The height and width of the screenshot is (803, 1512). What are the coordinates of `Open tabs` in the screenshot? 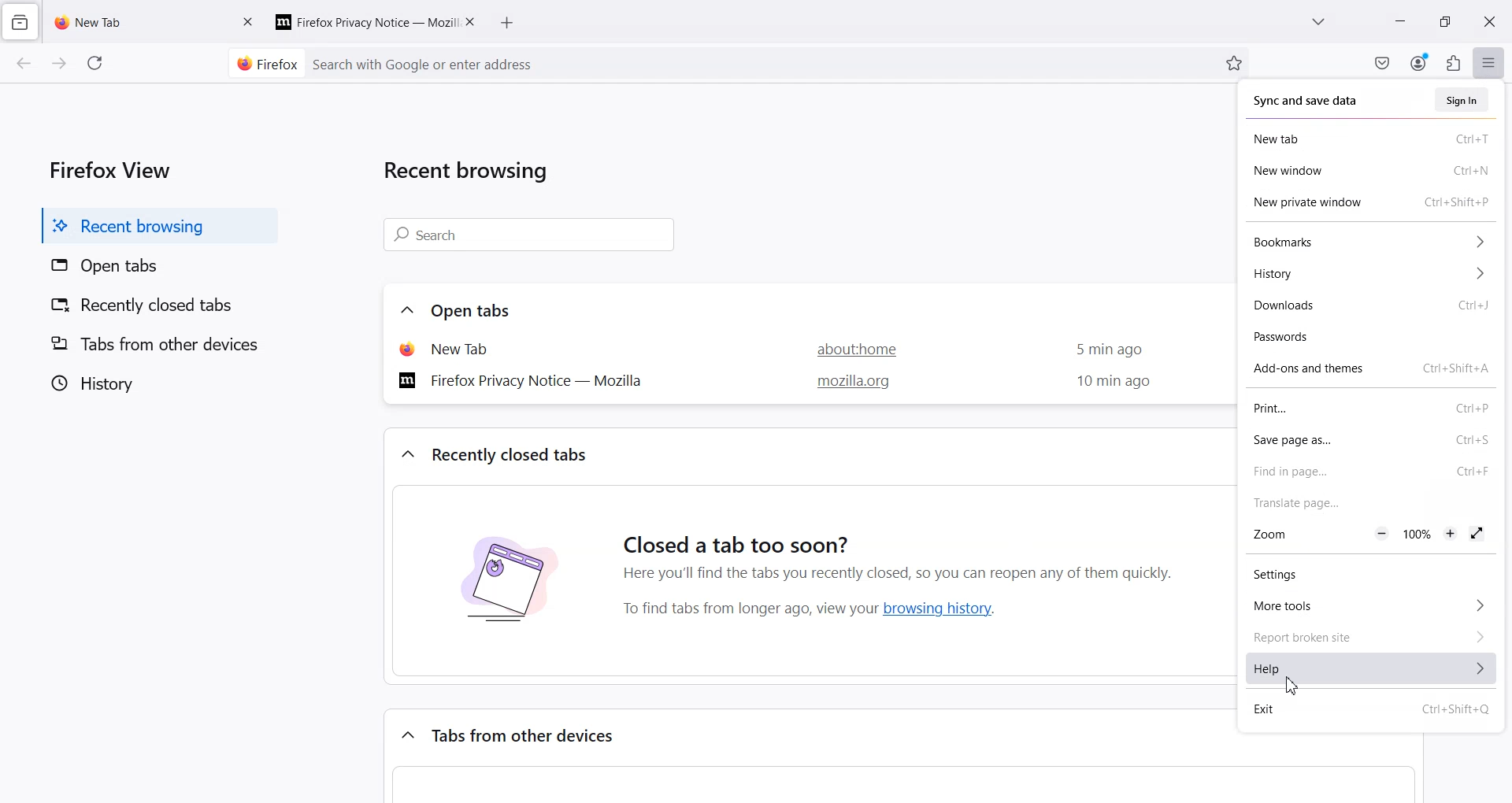 It's located at (475, 310).